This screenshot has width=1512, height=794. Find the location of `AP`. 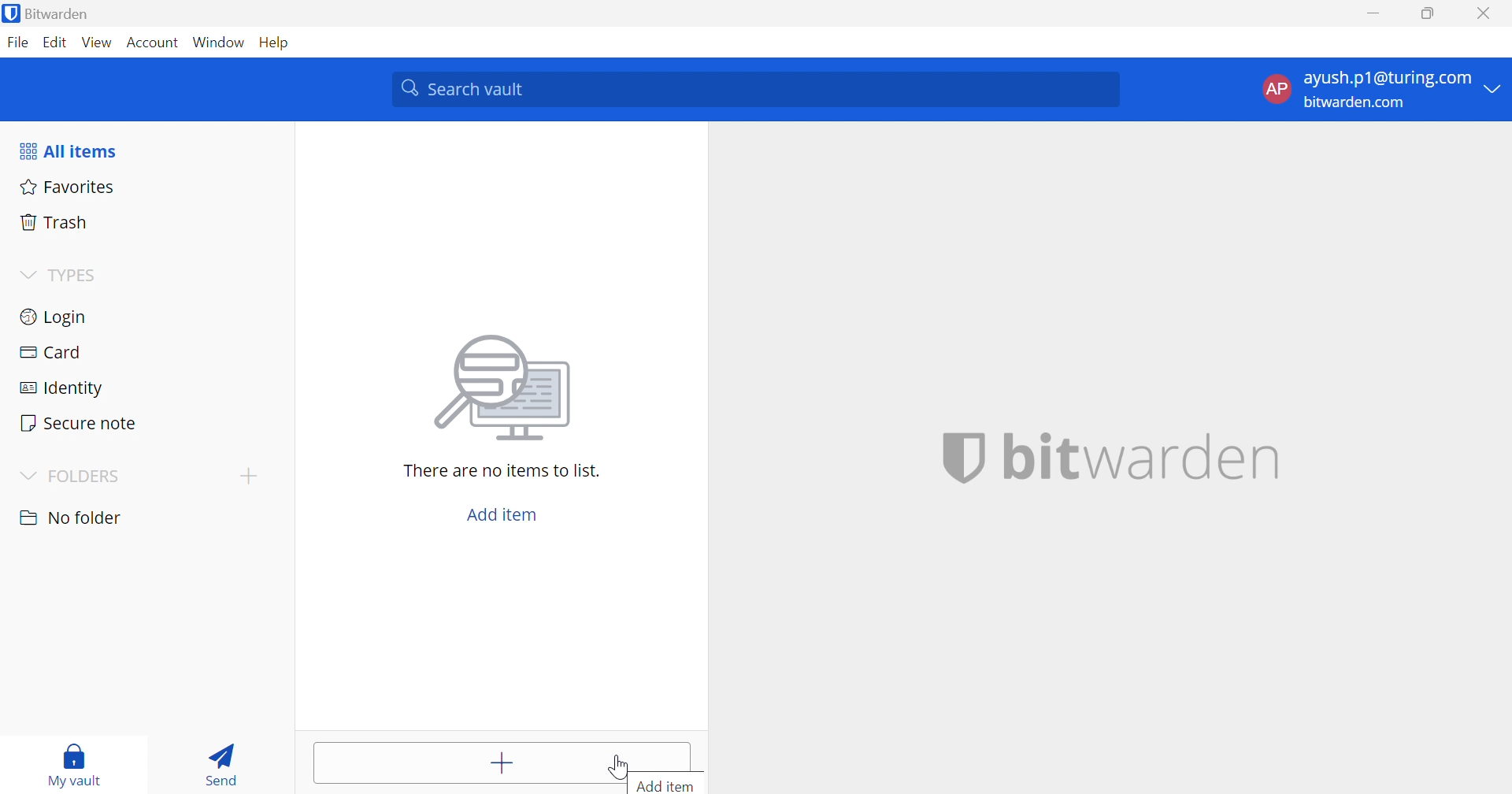

AP is located at coordinates (1275, 92).